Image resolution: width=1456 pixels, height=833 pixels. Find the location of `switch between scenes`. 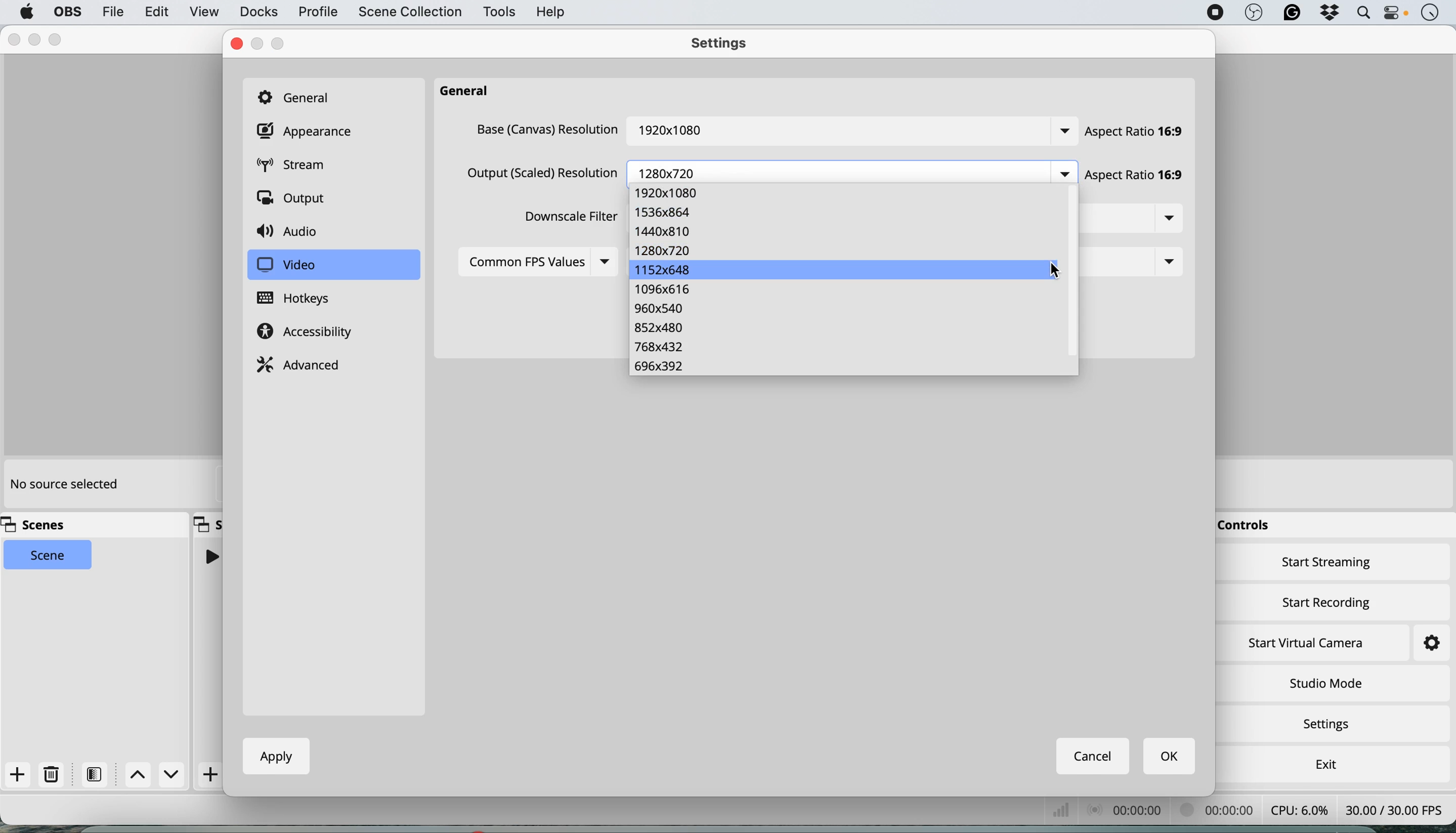

switch between scenes is located at coordinates (153, 776).